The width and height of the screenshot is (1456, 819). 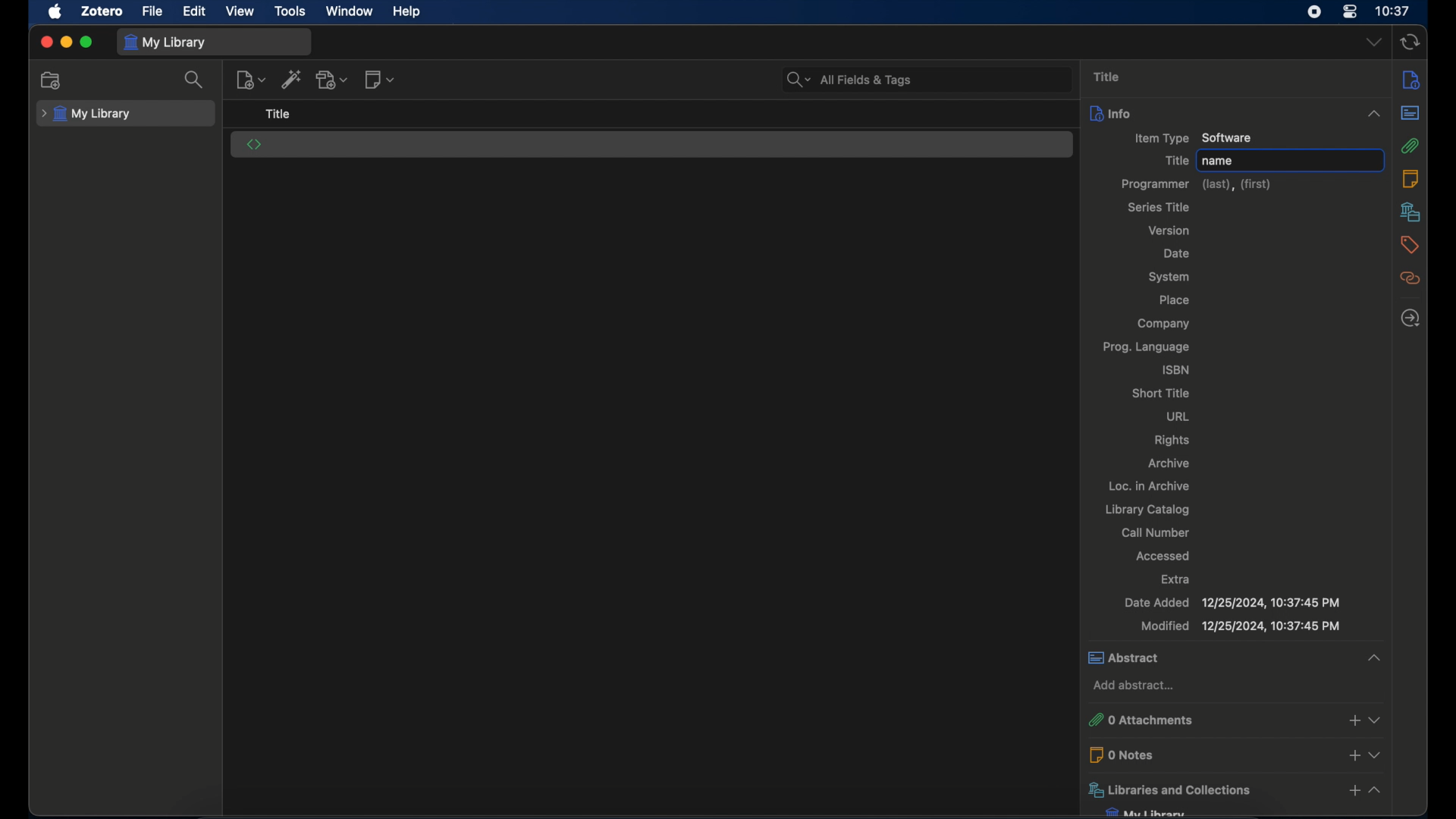 I want to click on tags, so click(x=1410, y=245).